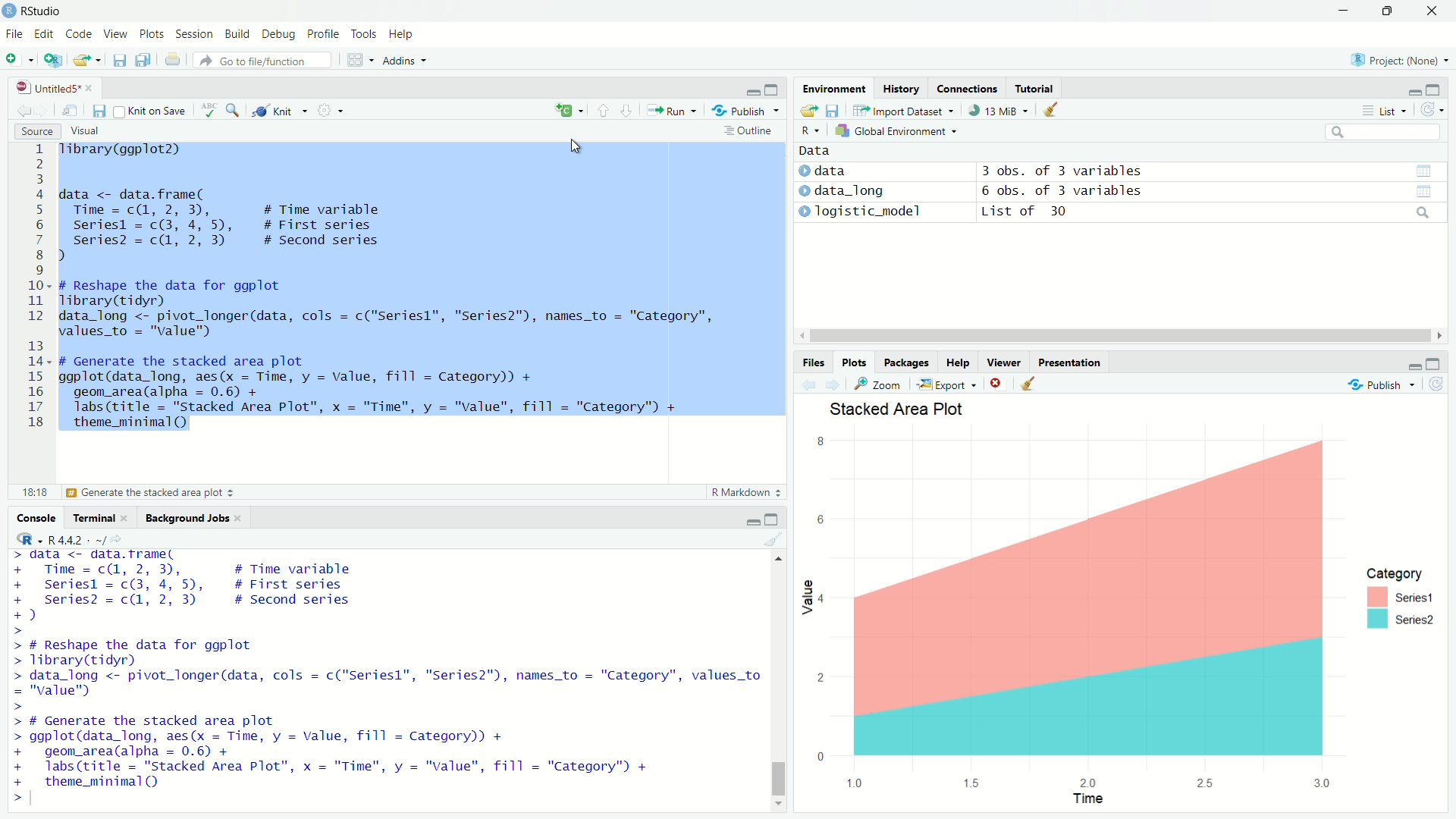 The height and width of the screenshot is (819, 1456). Describe the element at coordinates (604, 115) in the screenshot. I see `upward` at that location.